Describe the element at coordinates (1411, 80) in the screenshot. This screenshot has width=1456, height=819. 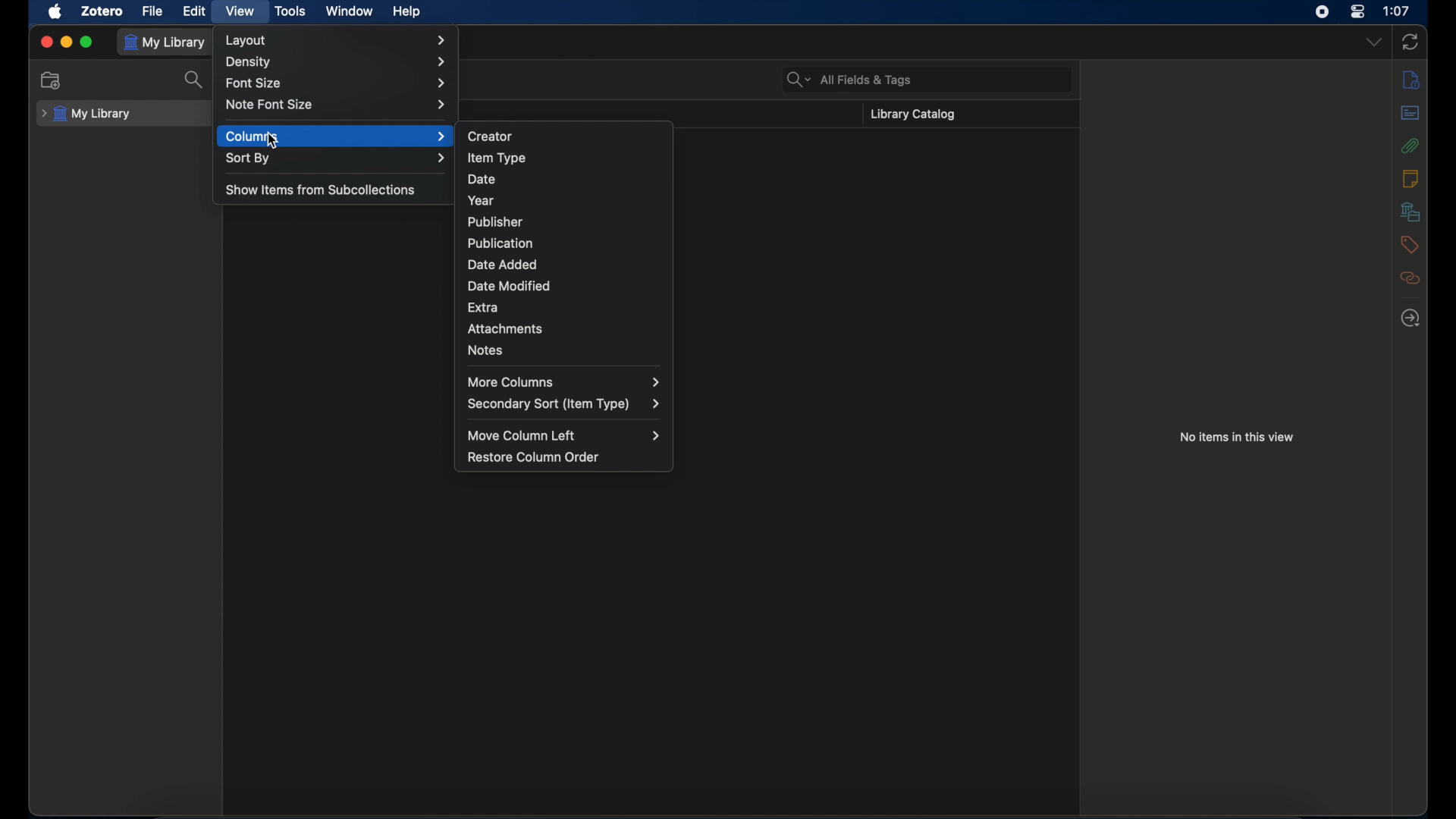
I see `info` at that location.